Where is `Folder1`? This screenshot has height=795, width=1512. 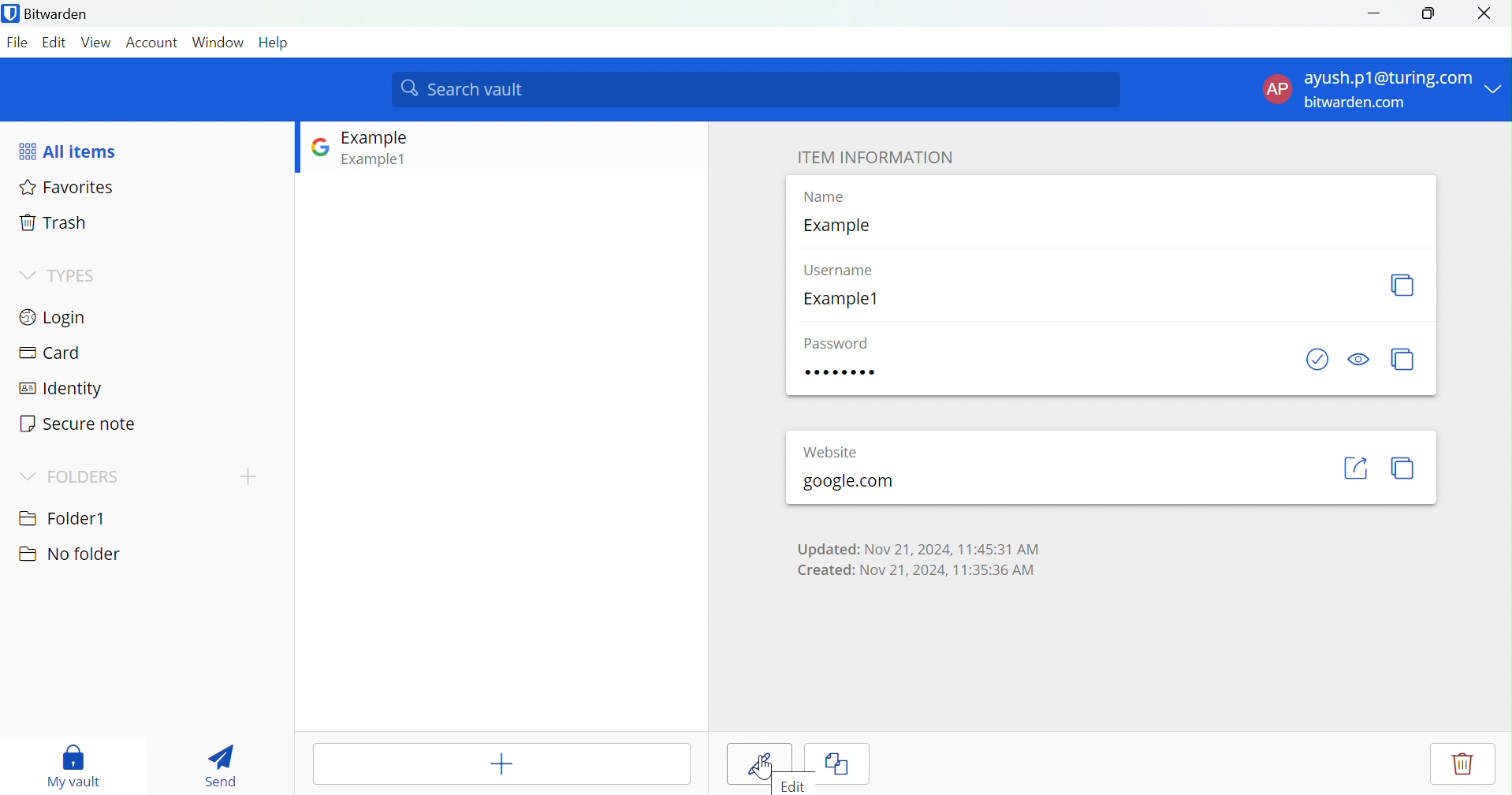
Folder1 is located at coordinates (63, 516).